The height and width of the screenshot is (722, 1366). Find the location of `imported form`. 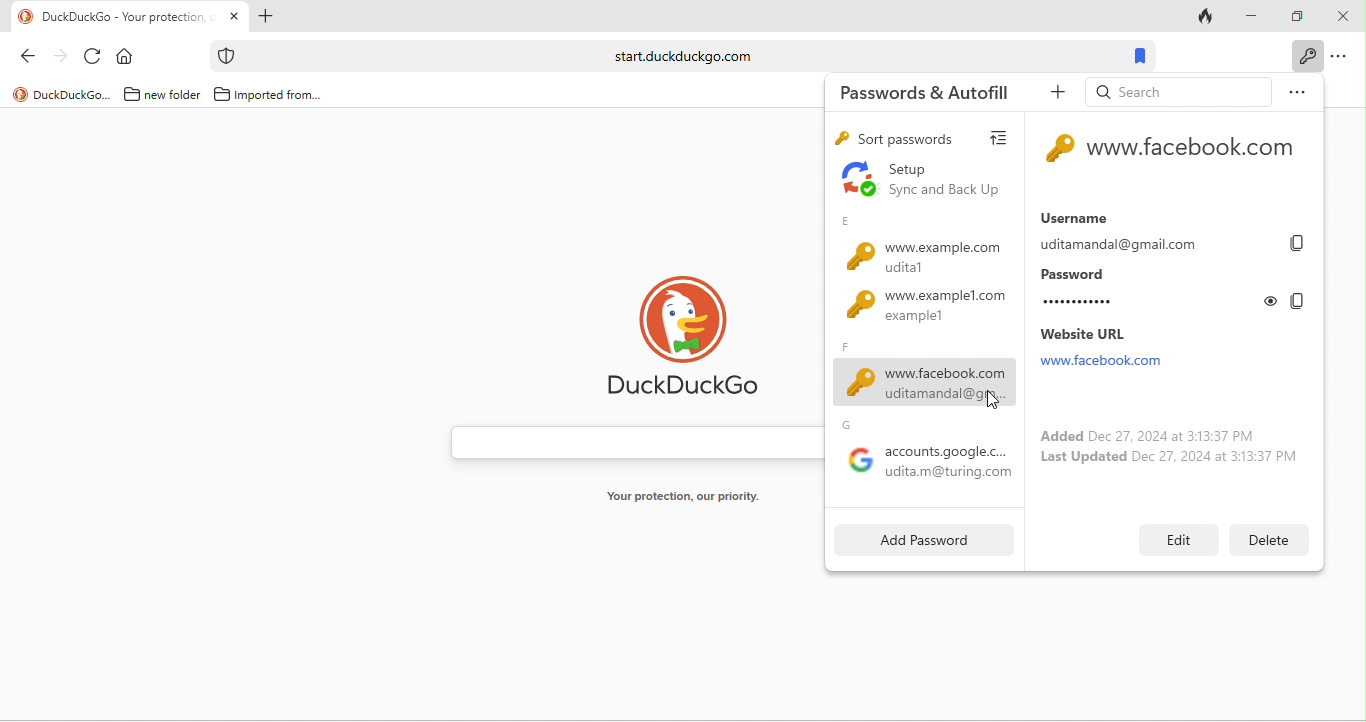

imported form is located at coordinates (270, 95).